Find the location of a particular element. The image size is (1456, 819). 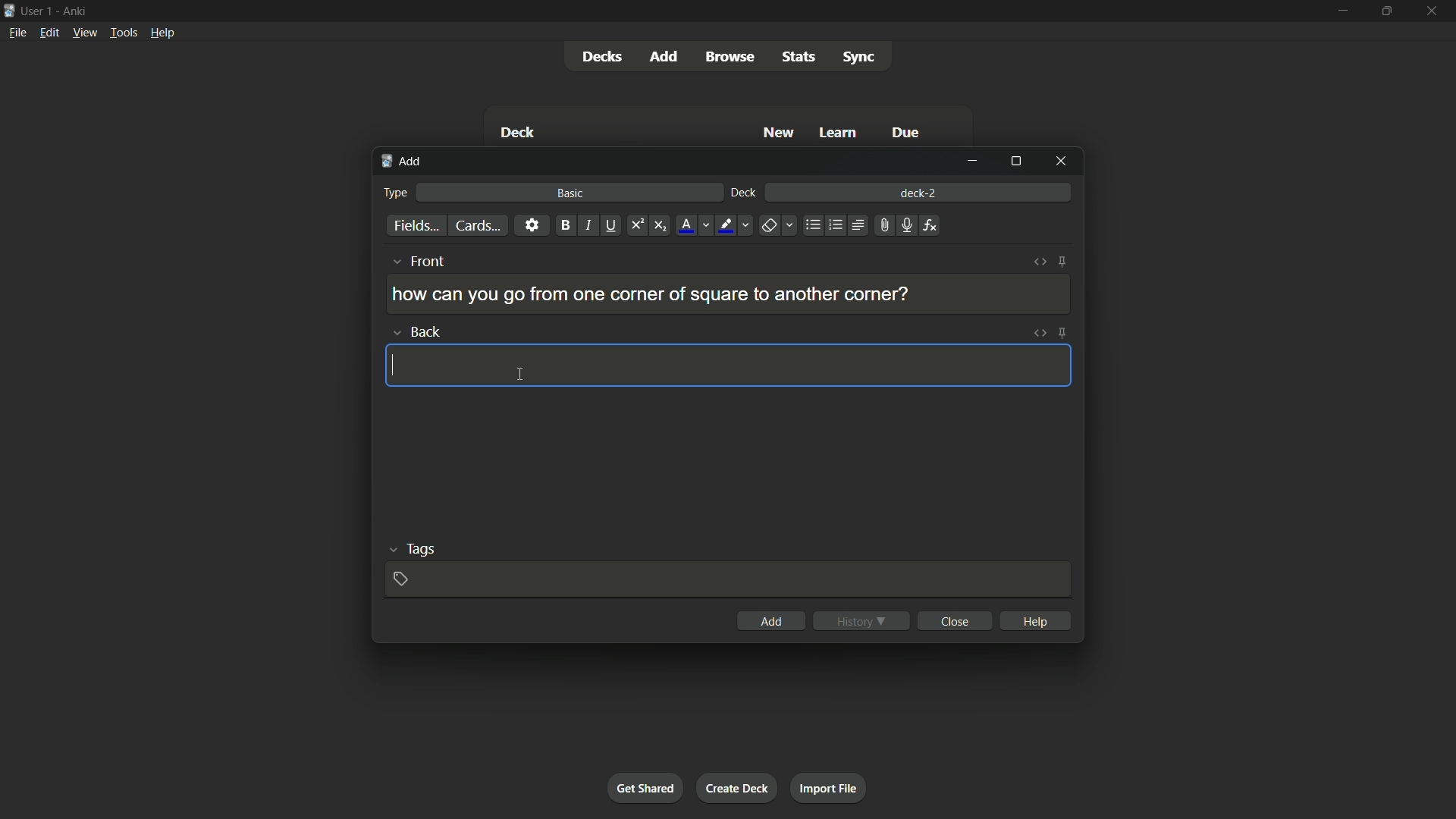

back is located at coordinates (416, 331).